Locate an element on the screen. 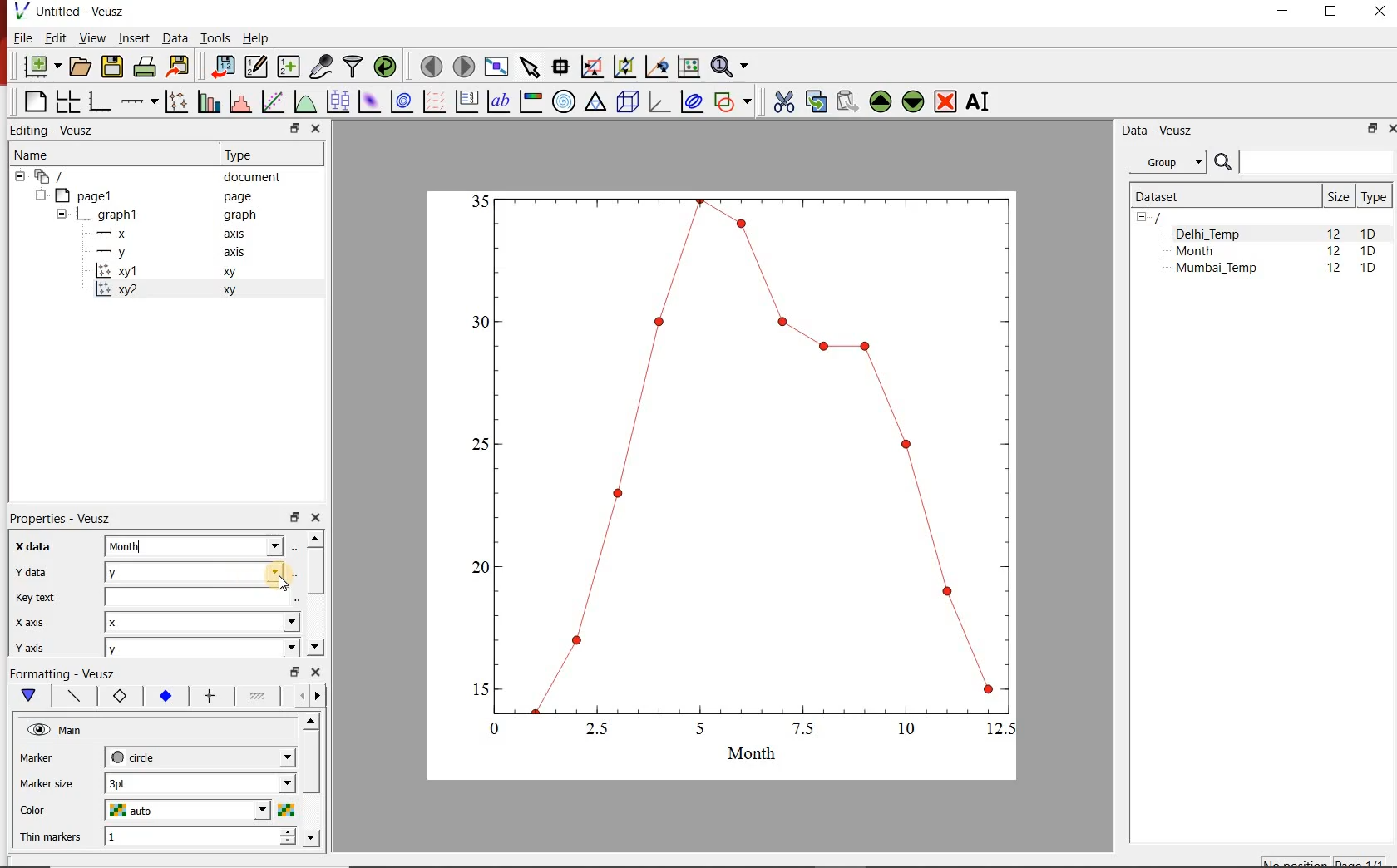 The width and height of the screenshot is (1397, 868). auto is located at coordinates (199, 810).